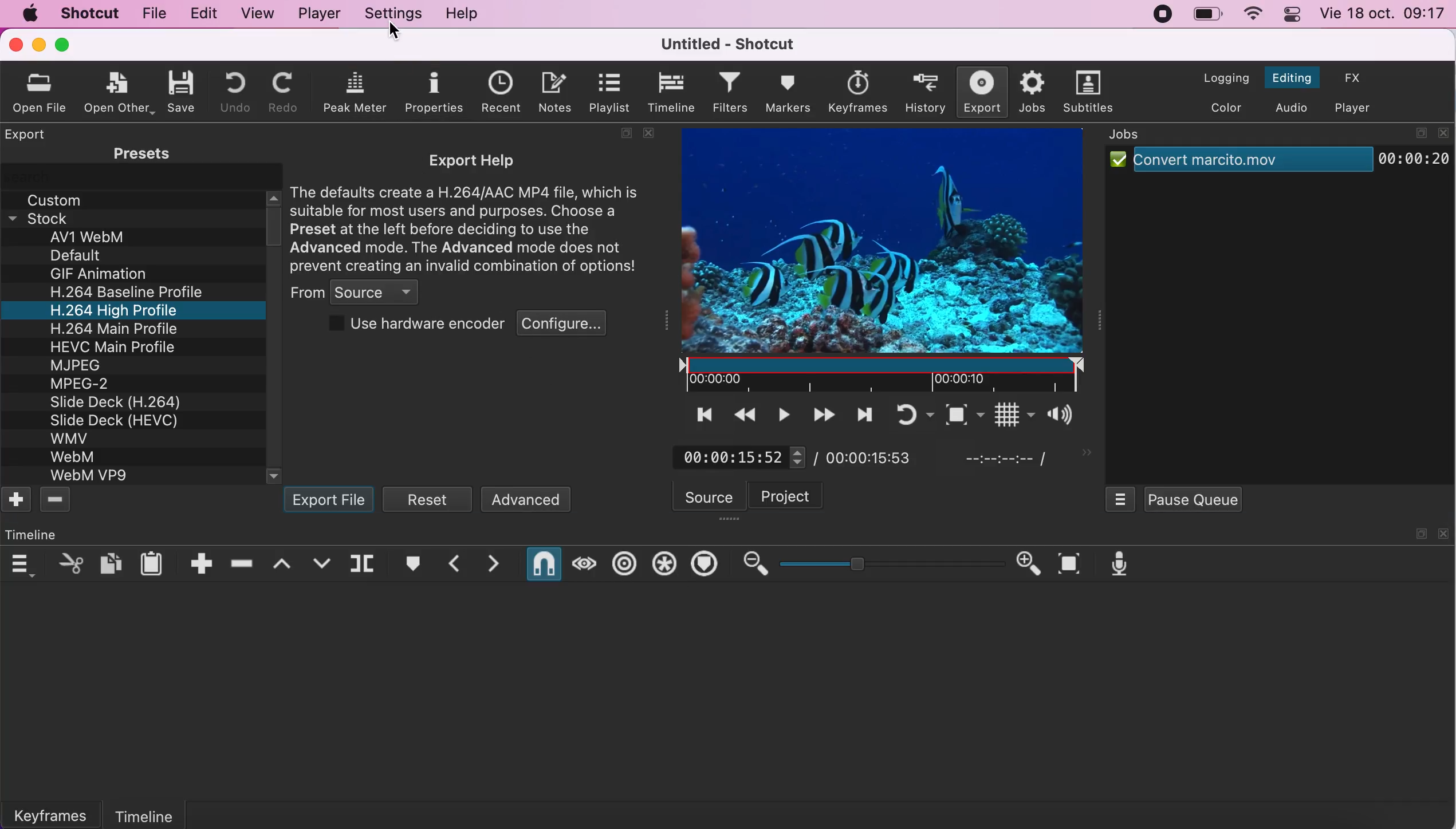 The width and height of the screenshot is (1456, 829). What do you see at coordinates (1219, 78) in the screenshot?
I see `switch to the logging layout` at bounding box center [1219, 78].